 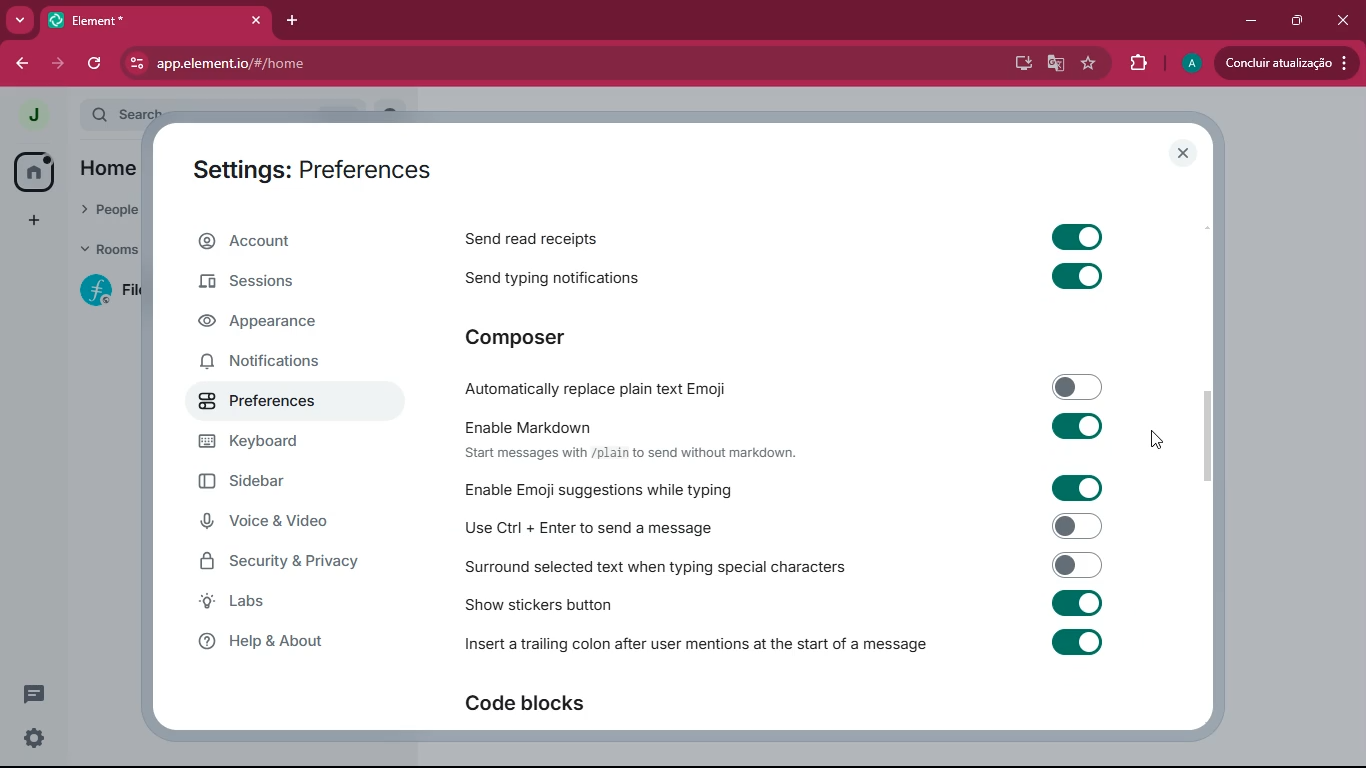 I want to click on refresh, so click(x=99, y=64).